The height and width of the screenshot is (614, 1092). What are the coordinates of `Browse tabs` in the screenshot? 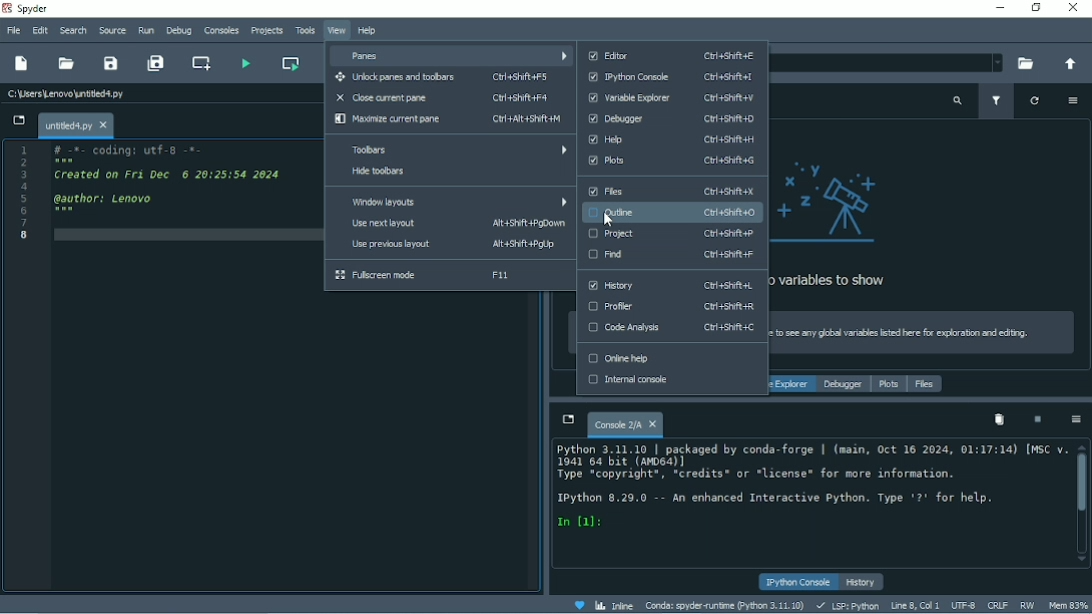 It's located at (566, 419).